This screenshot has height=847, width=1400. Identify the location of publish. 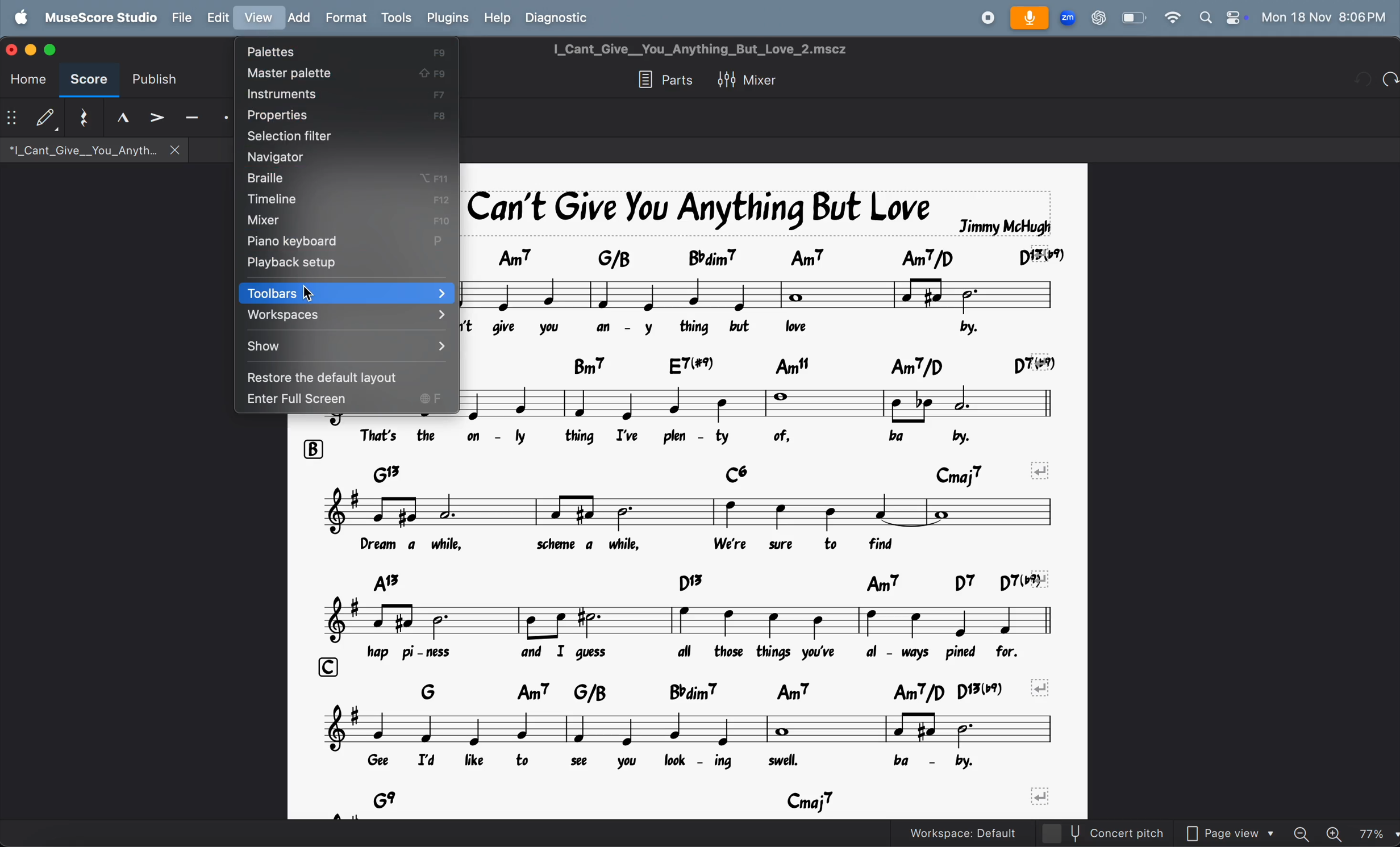
(153, 77).